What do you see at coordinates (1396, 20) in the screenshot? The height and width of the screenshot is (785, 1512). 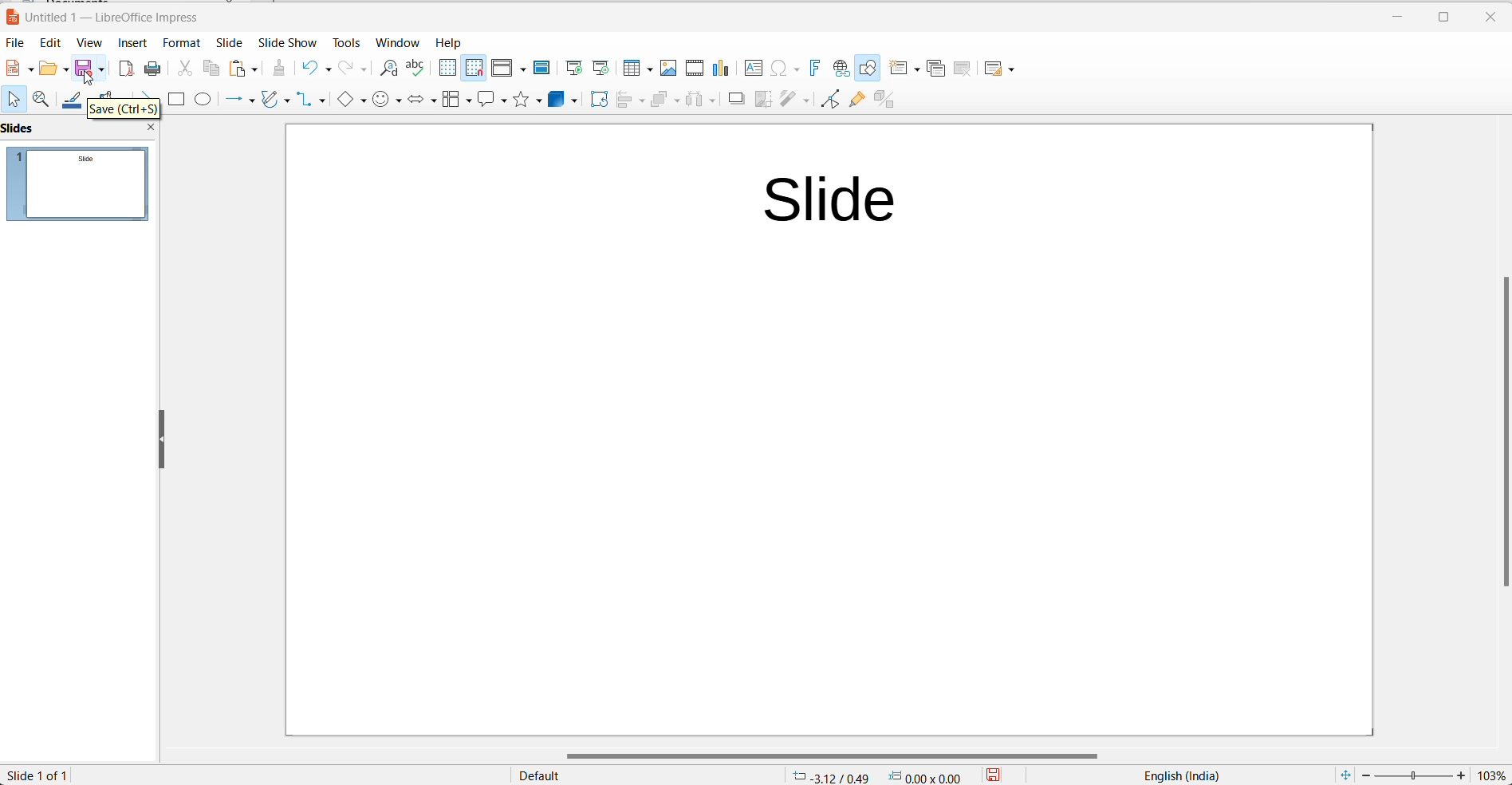 I see `minimize` at bounding box center [1396, 20].